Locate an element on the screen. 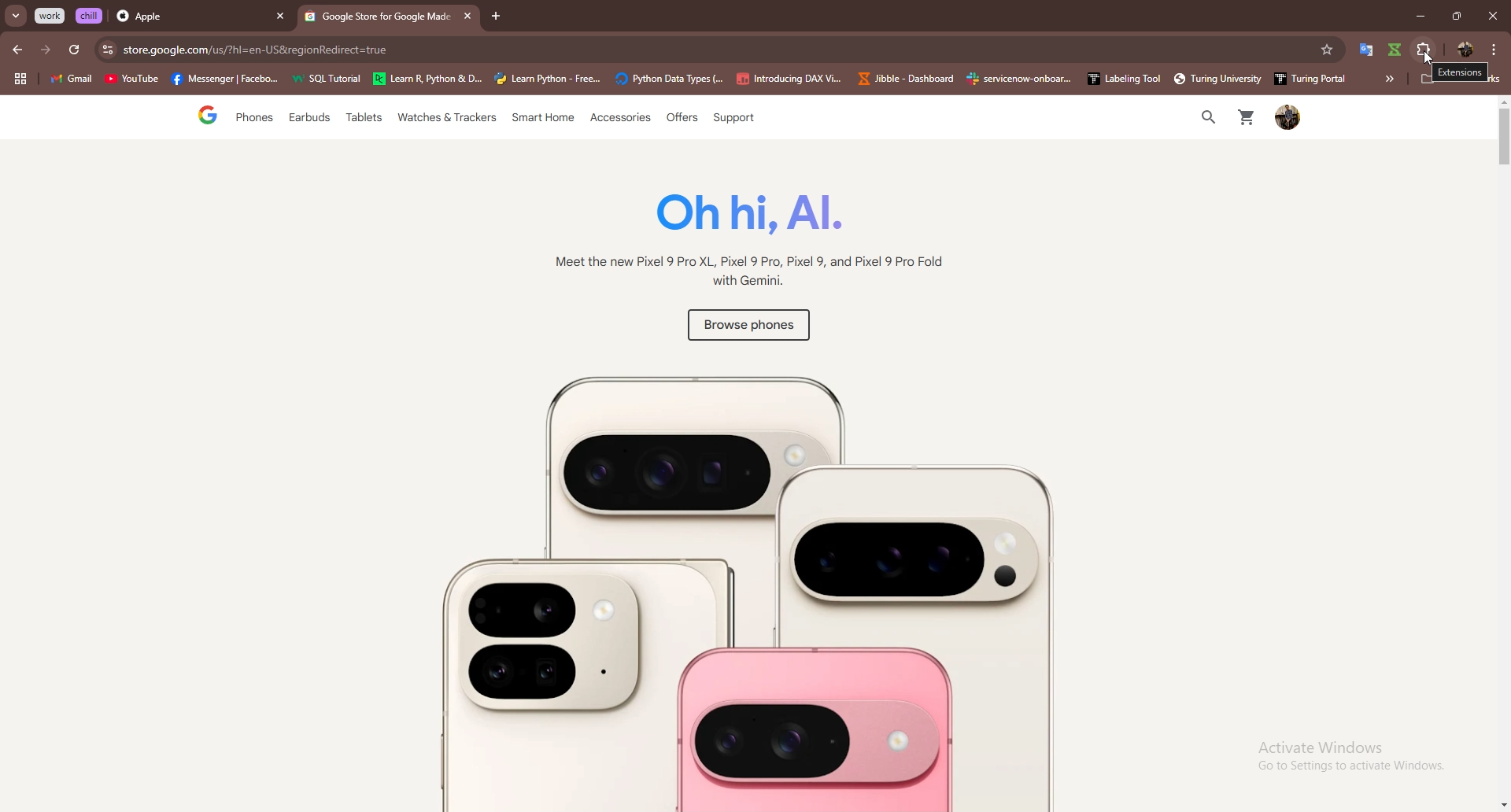  YouTube is located at coordinates (131, 81).